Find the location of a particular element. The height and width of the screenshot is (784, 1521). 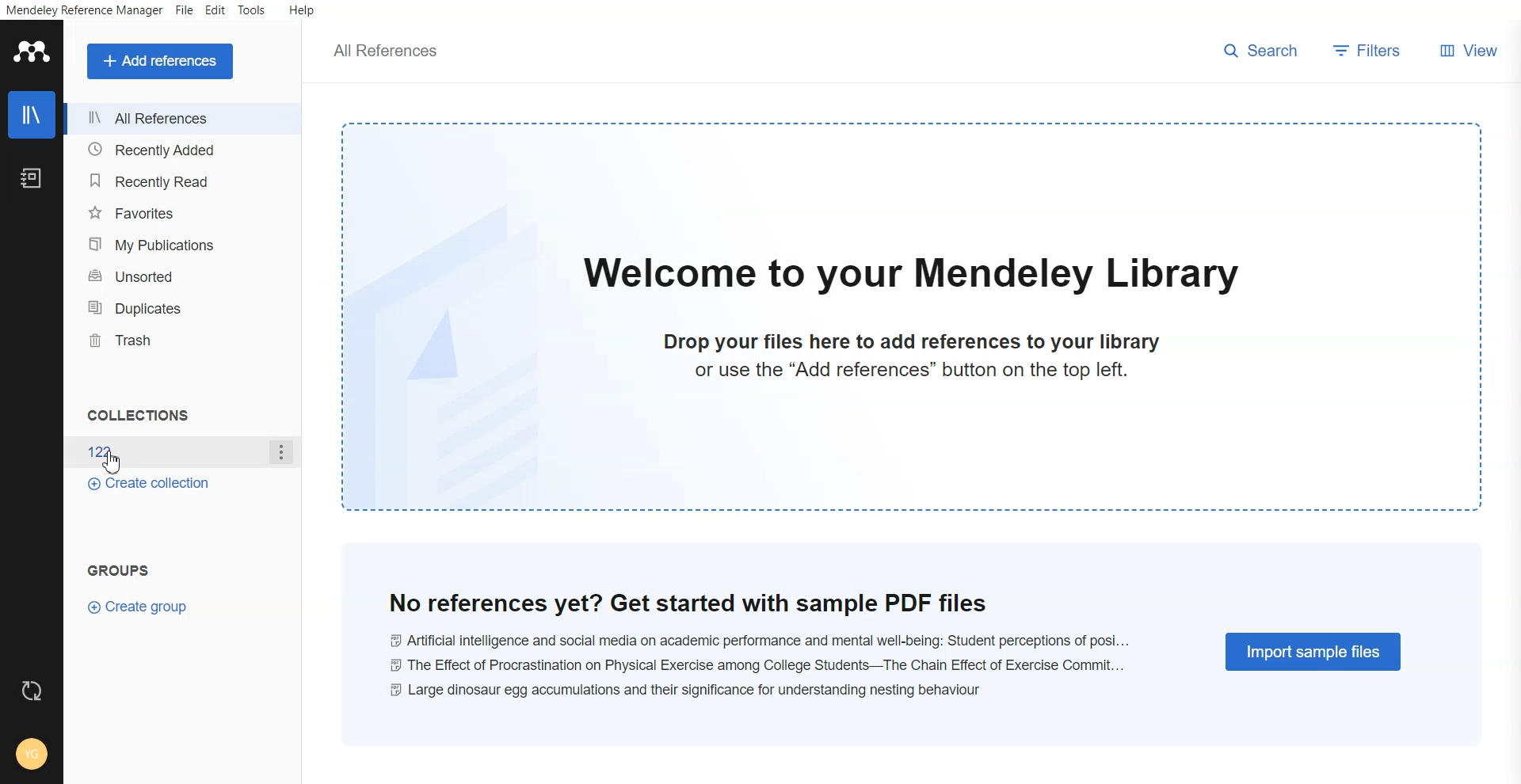

Recently added is located at coordinates (182, 149).